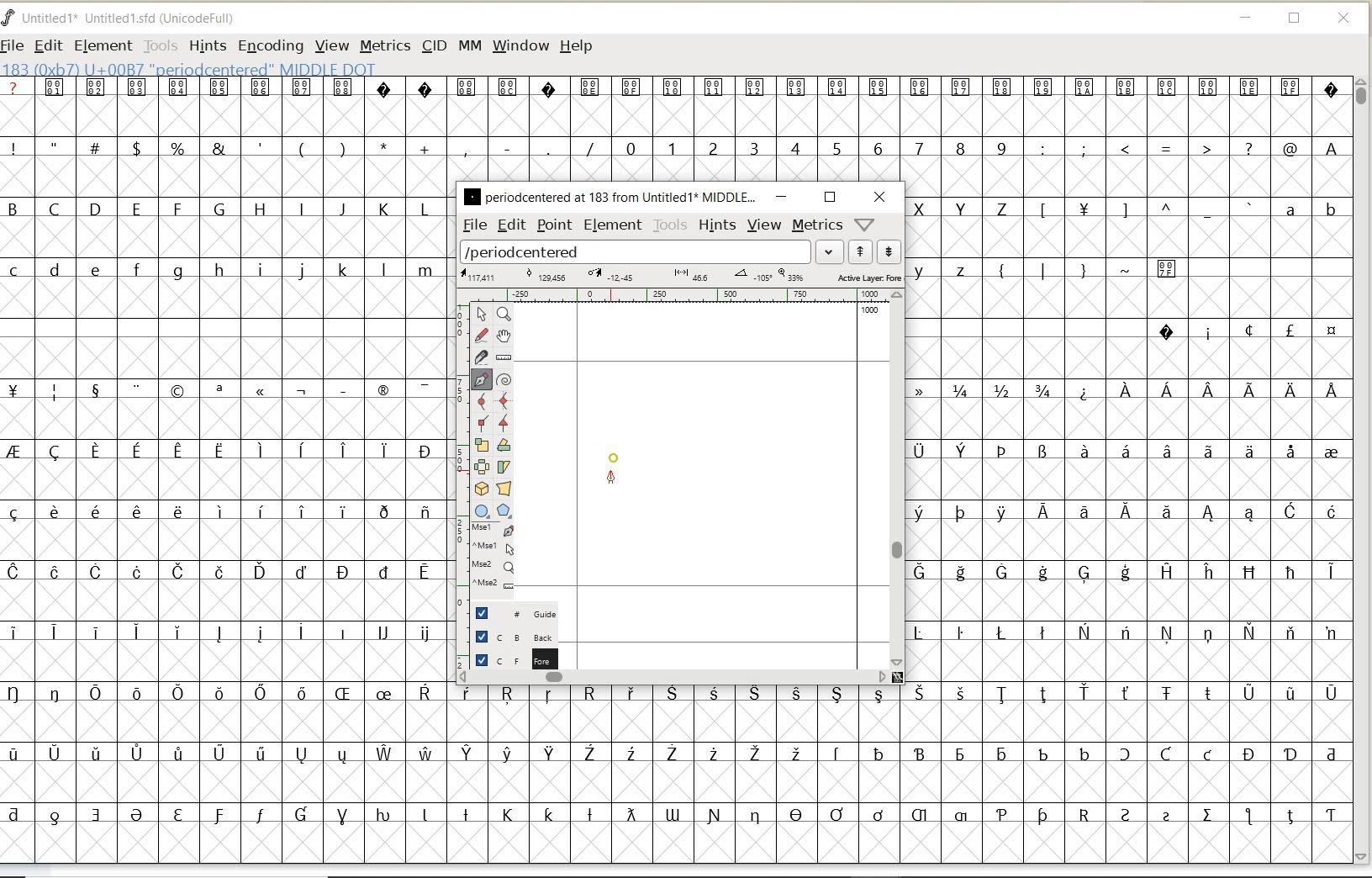 This screenshot has height=878, width=1372. What do you see at coordinates (300, 147) in the screenshot?
I see `special characters` at bounding box center [300, 147].